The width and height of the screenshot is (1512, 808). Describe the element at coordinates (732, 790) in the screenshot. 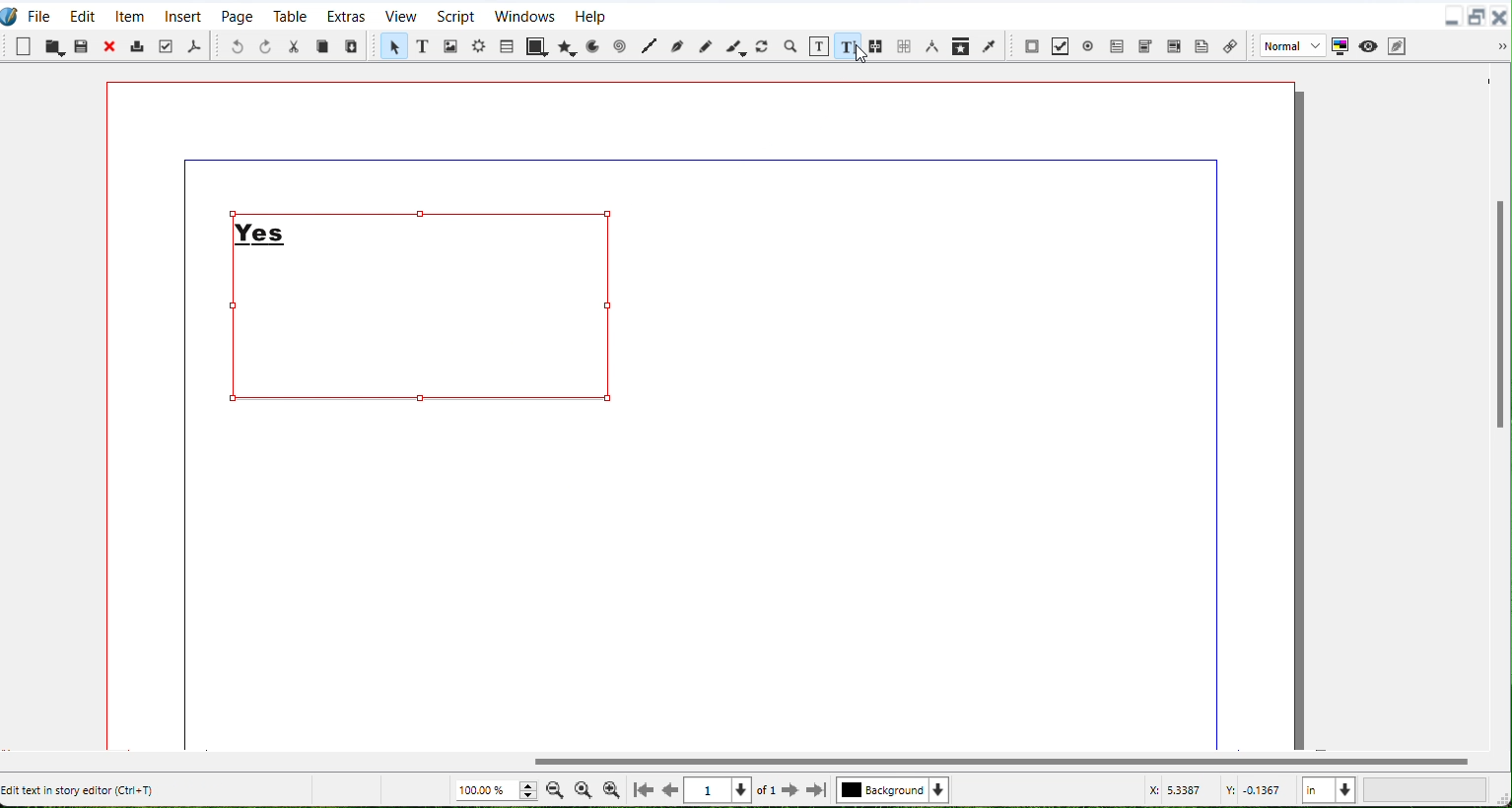

I see `Select Current page` at that location.